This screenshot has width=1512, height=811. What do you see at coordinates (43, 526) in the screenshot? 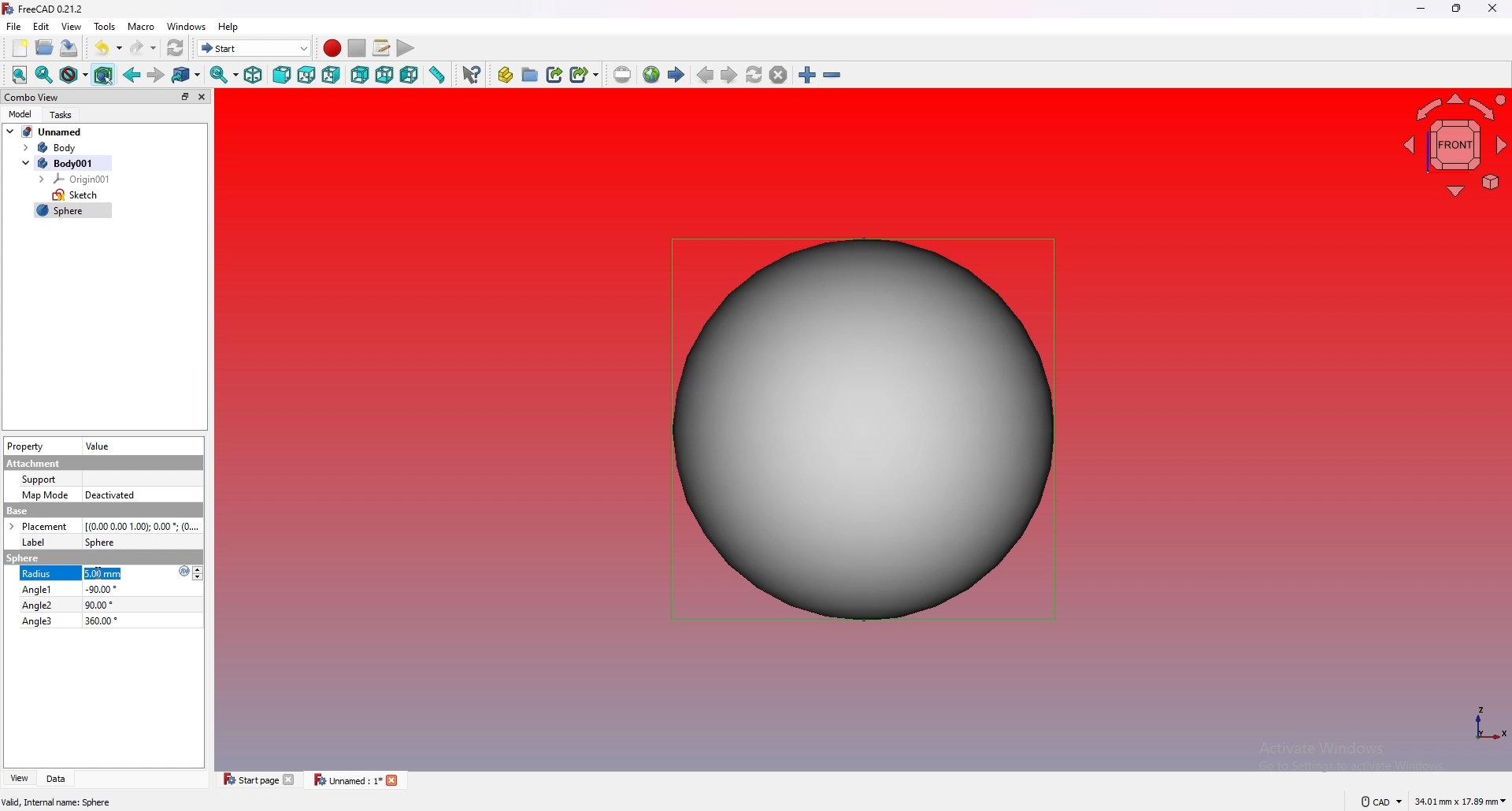
I see `>placement` at bounding box center [43, 526].